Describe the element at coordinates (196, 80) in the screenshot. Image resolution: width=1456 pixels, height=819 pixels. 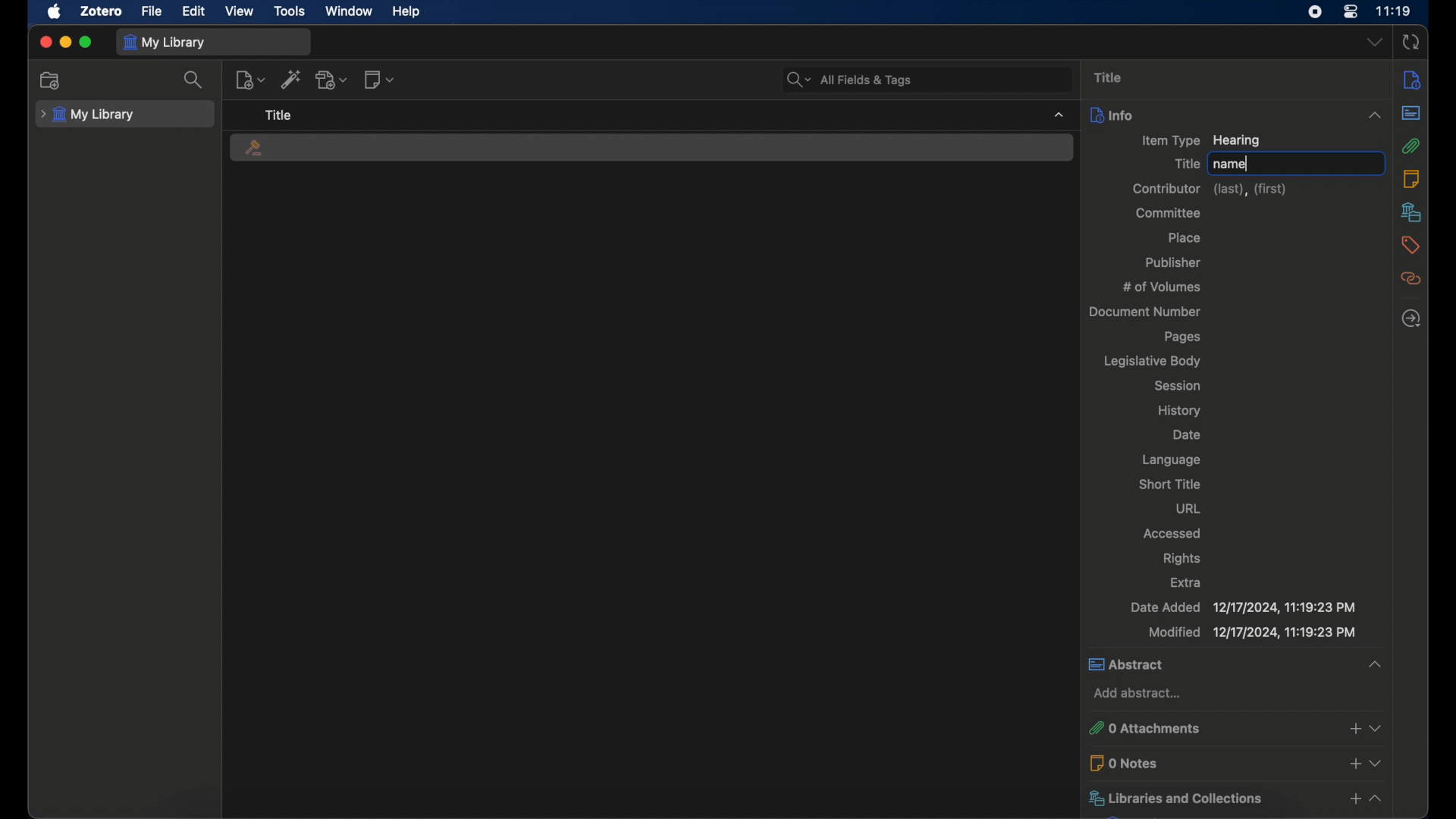
I see `search` at that location.